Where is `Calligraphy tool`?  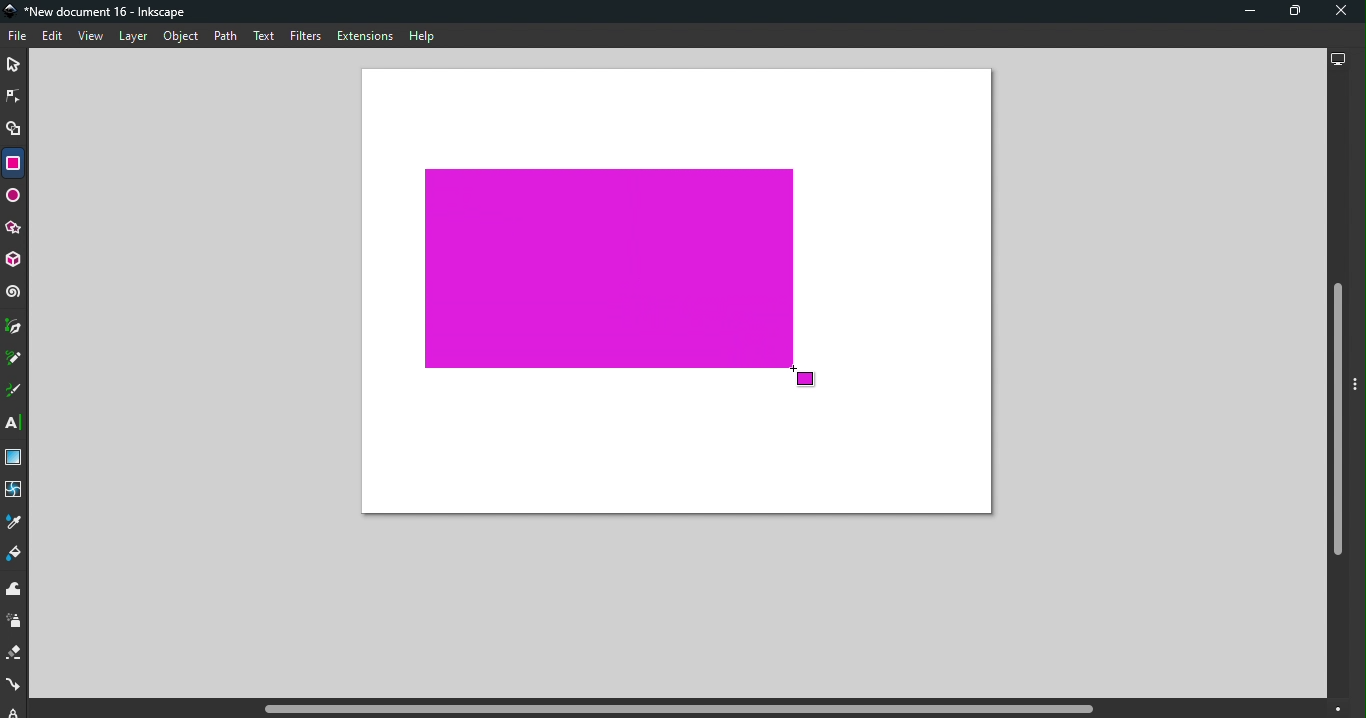 Calligraphy tool is located at coordinates (15, 391).